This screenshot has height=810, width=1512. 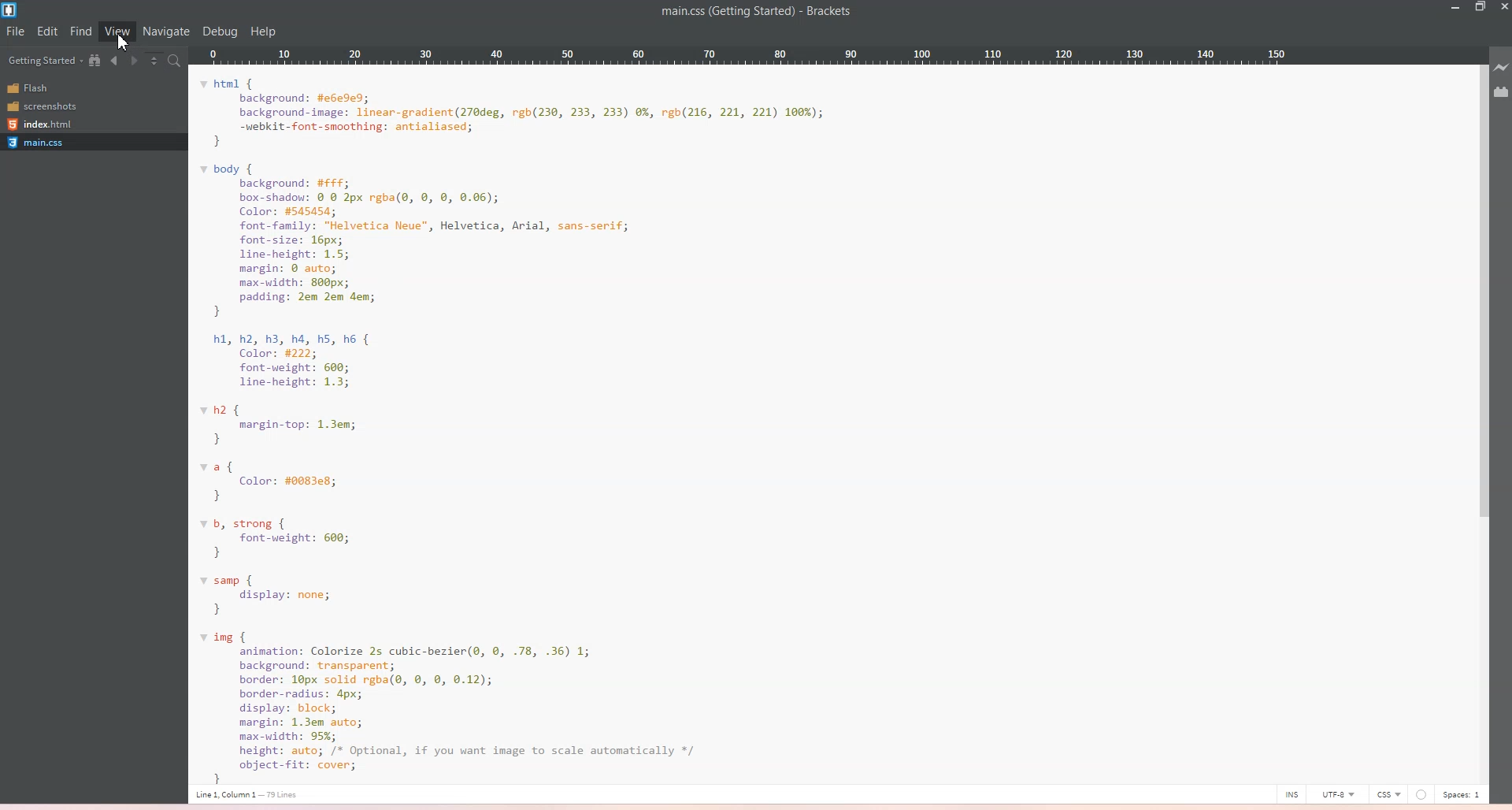 I want to click on View, so click(x=119, y=30).